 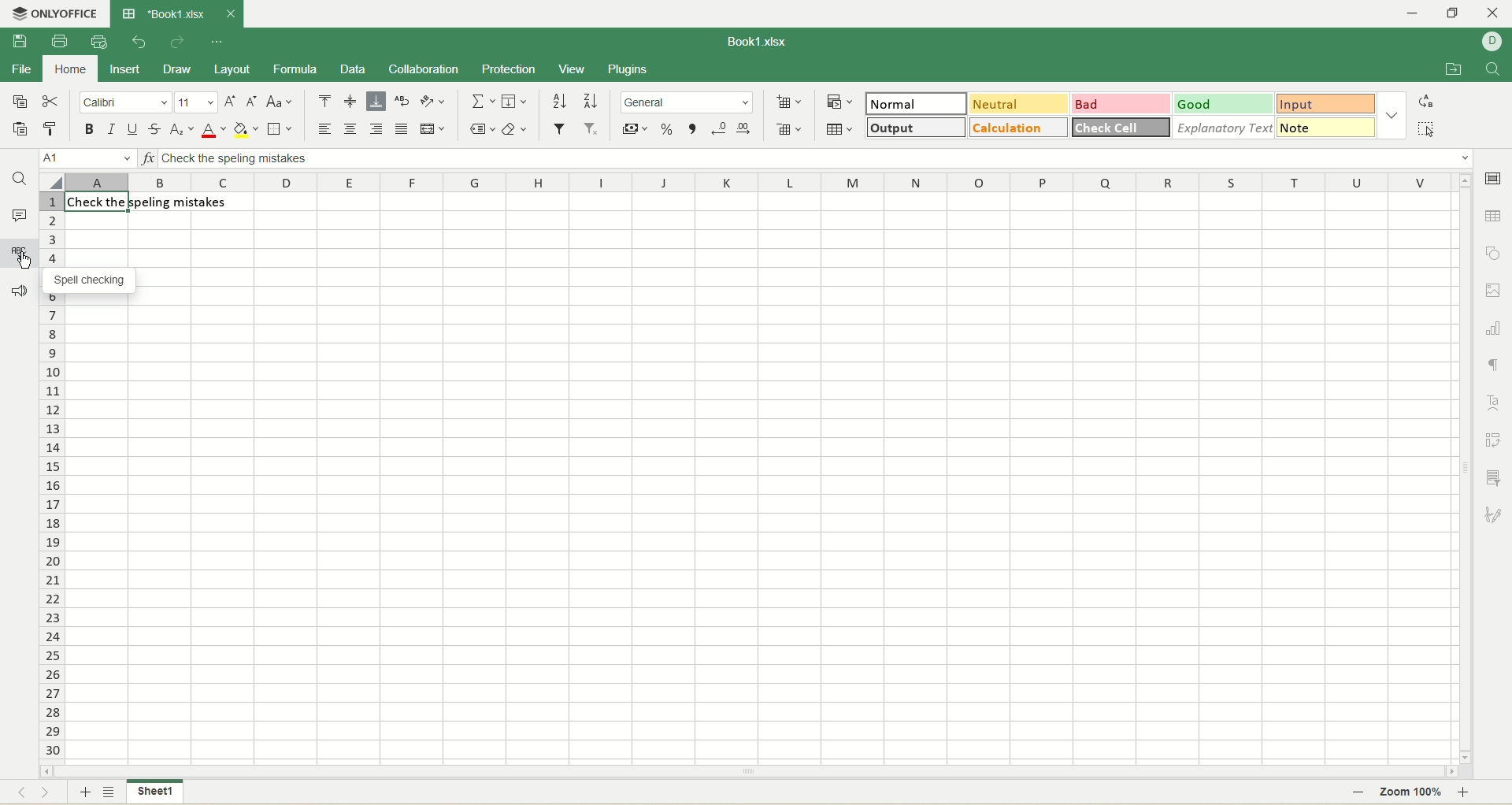 I want to click on text art settings, so click(x=1495, y=403).